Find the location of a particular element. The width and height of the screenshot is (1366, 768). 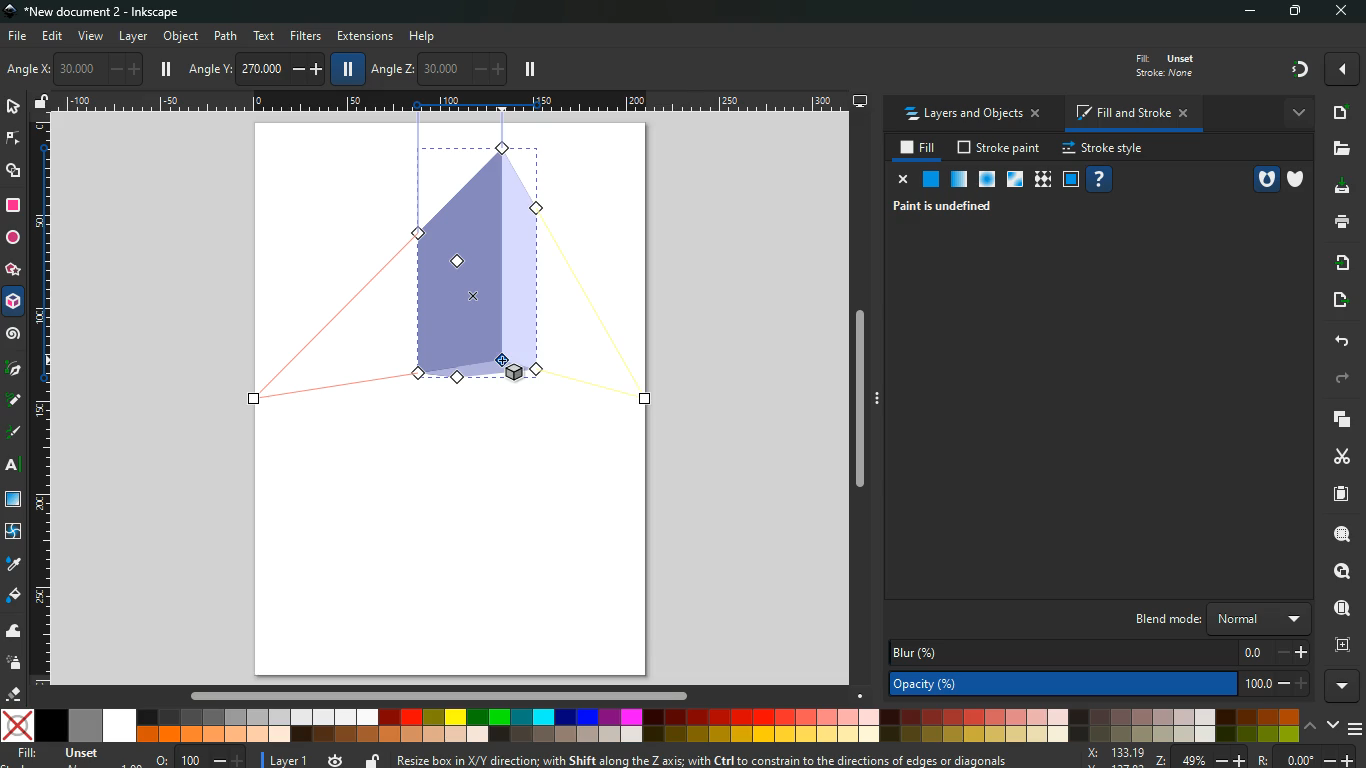

object is located at coordinates (183, 38).